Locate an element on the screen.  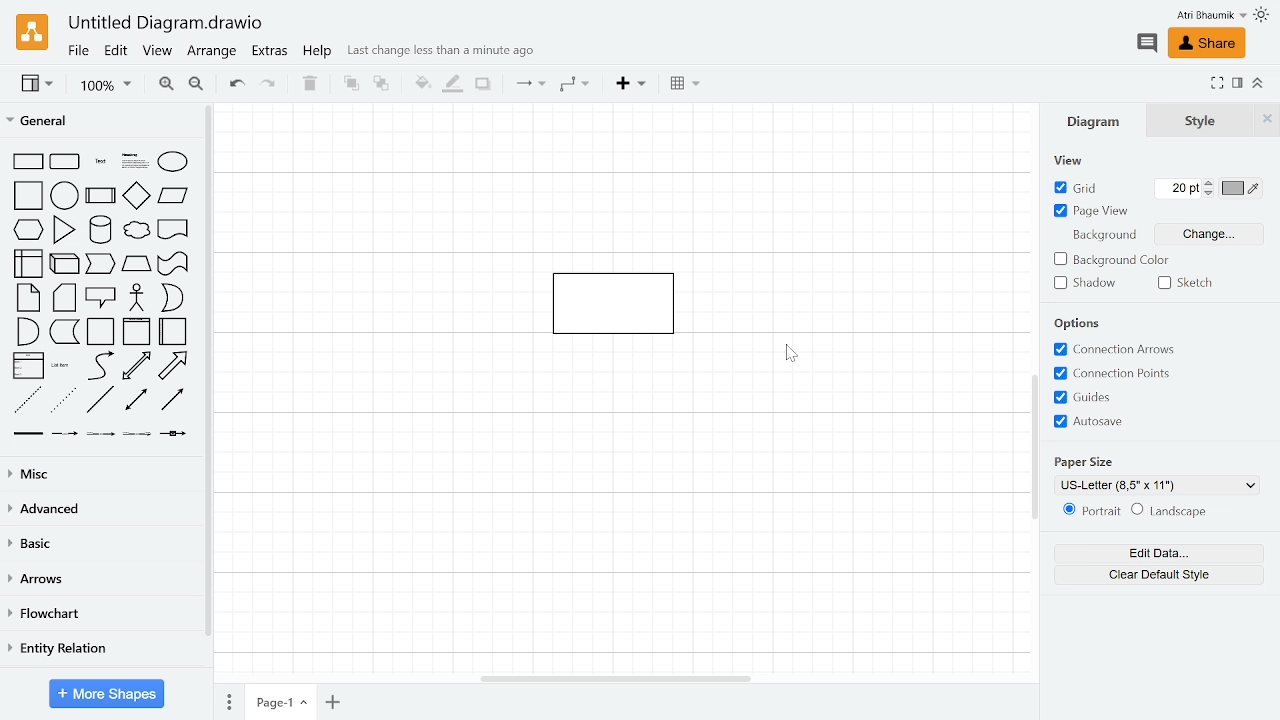
Shadow is located at coordinates (483, 84).